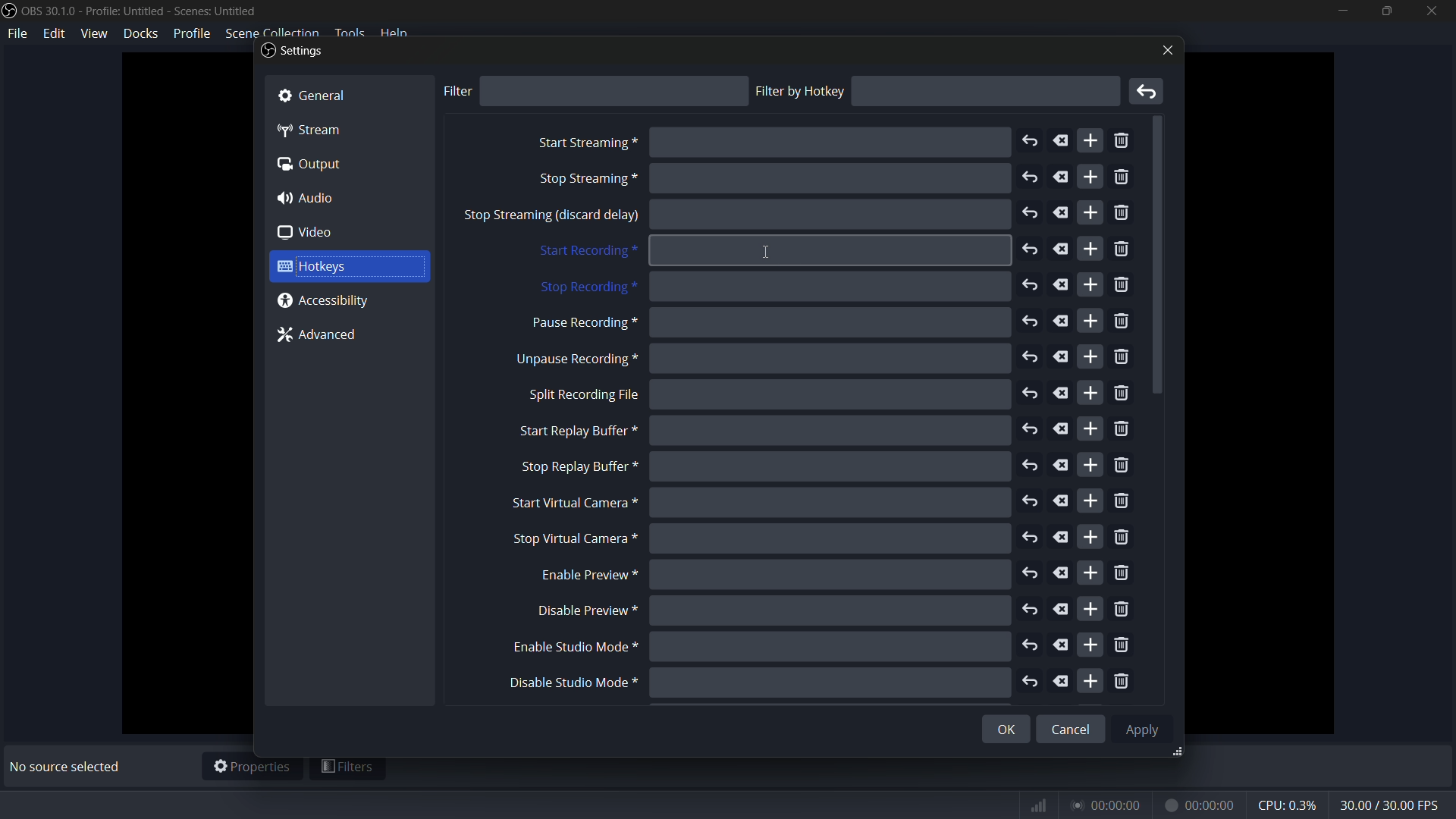  What do you see at coordinates (69, 767) in the screenshot?
I see `No source selected` at bounding box center [69, 767].